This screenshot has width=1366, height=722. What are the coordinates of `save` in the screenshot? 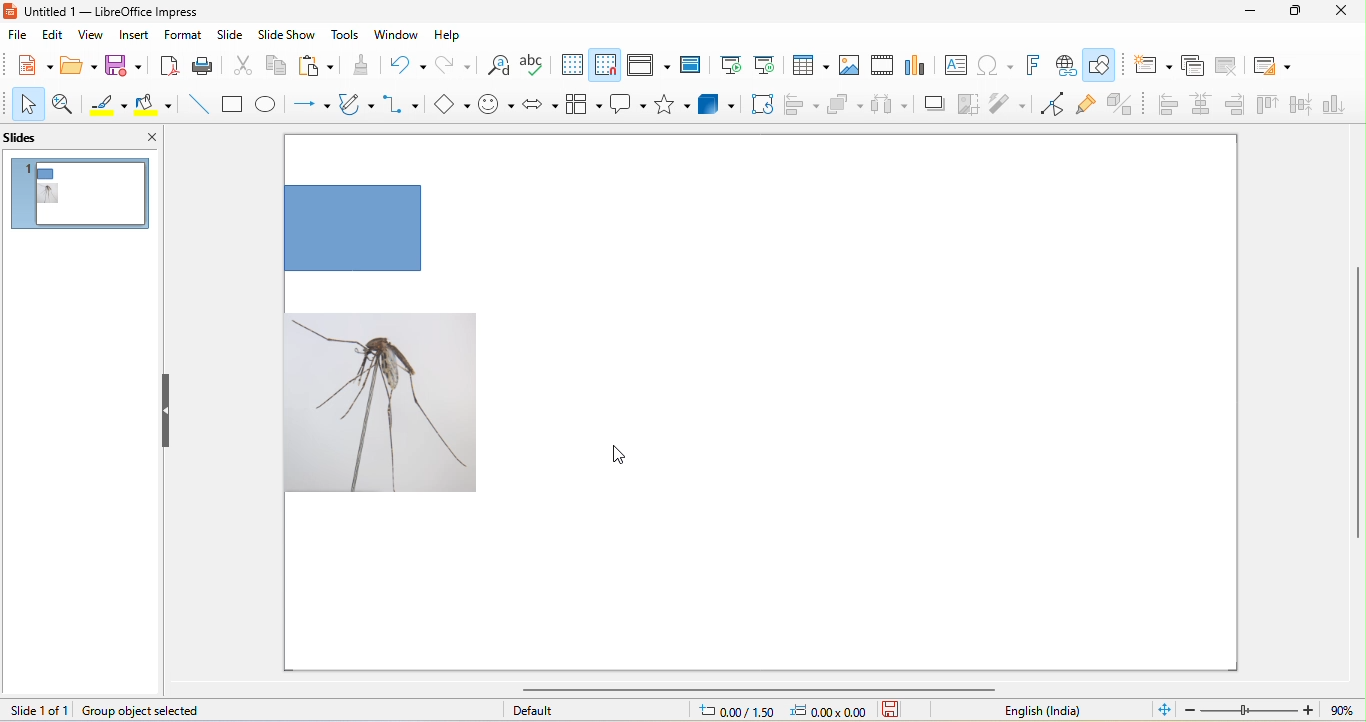 It's located at (125, 66).